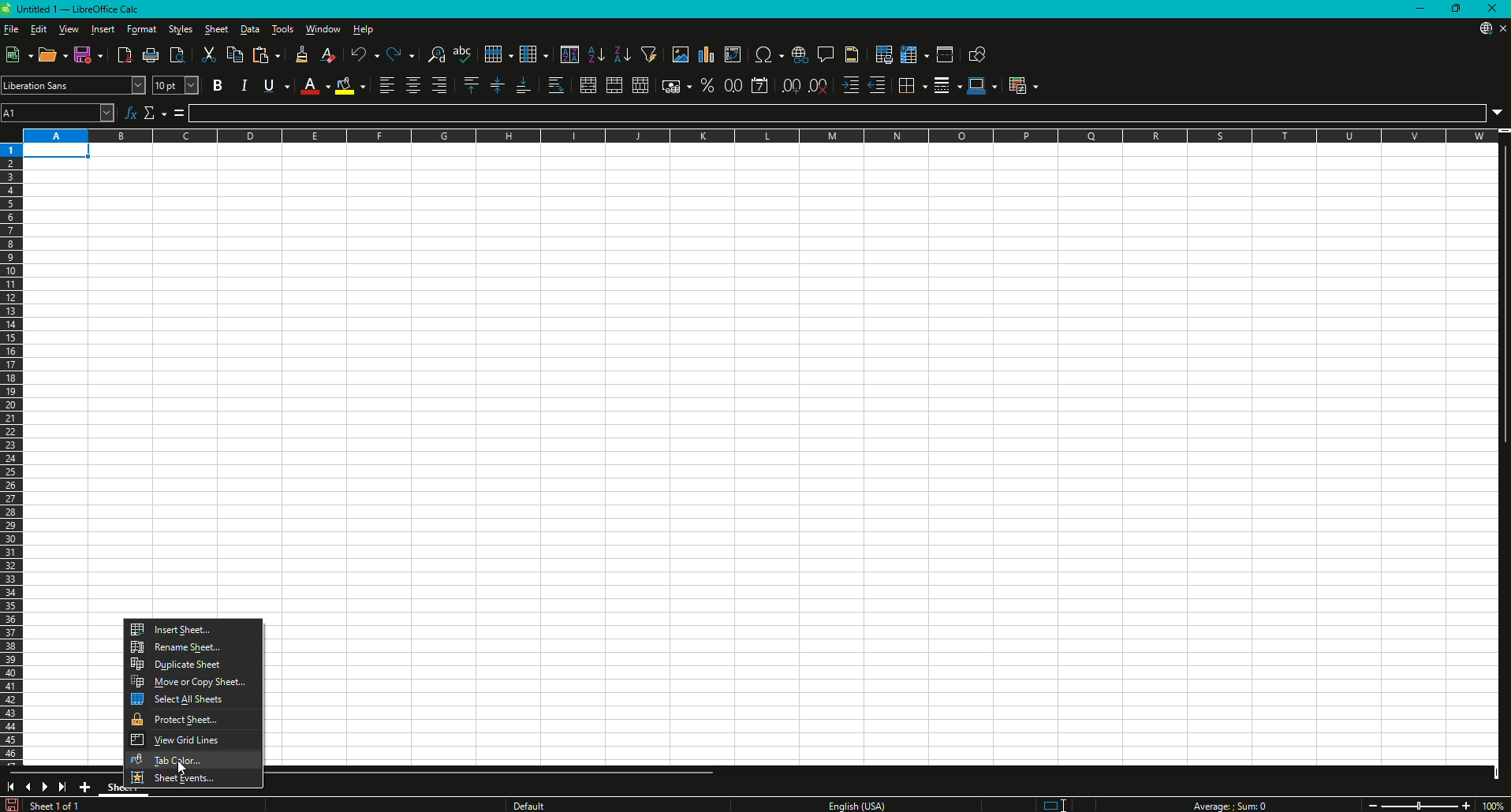  What do you see at coordinates (439, 85) in the screenshot?
I see `Align Right` at bounding box center [439, 85].